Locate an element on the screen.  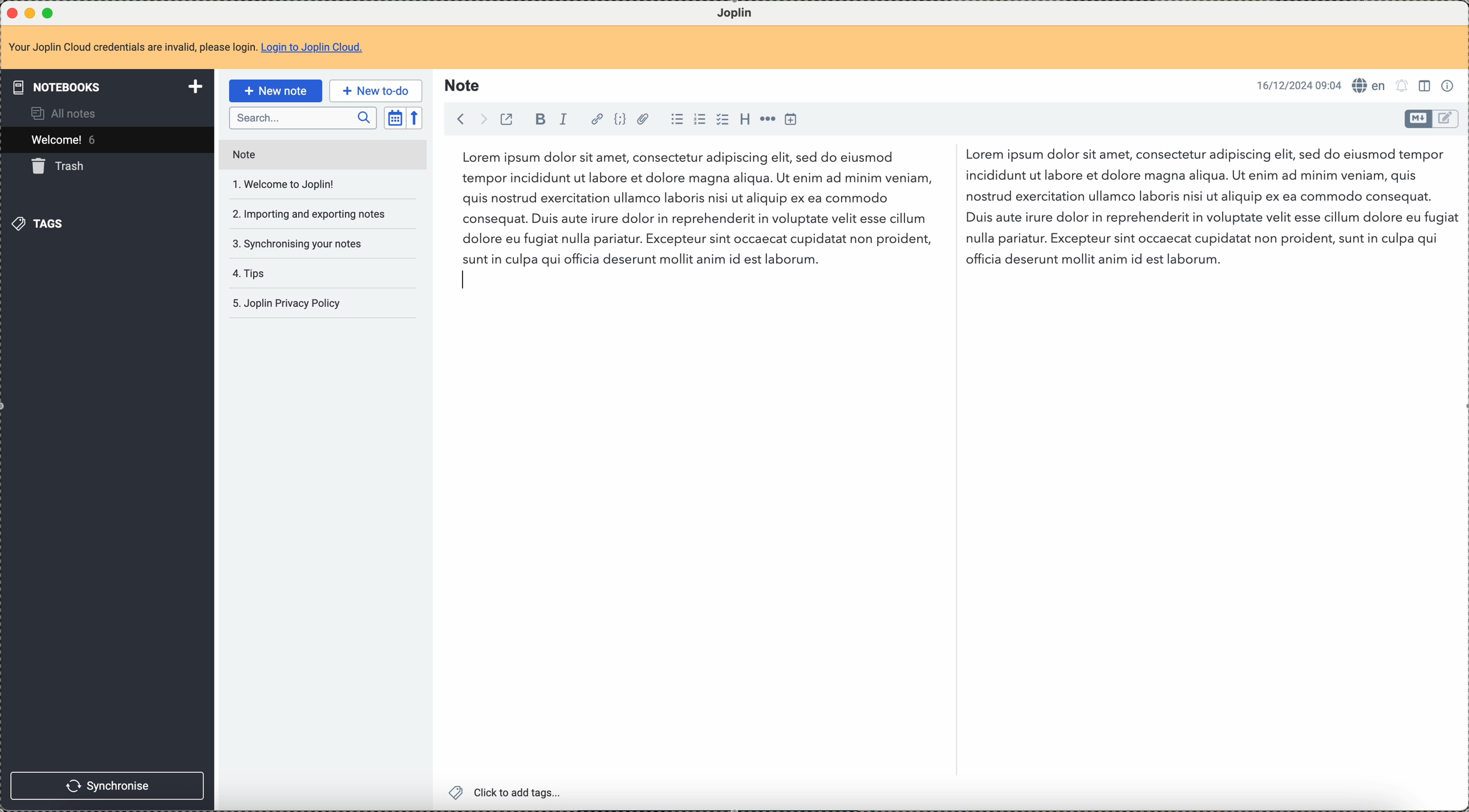
numbered list is located at coordinates (700, 120).